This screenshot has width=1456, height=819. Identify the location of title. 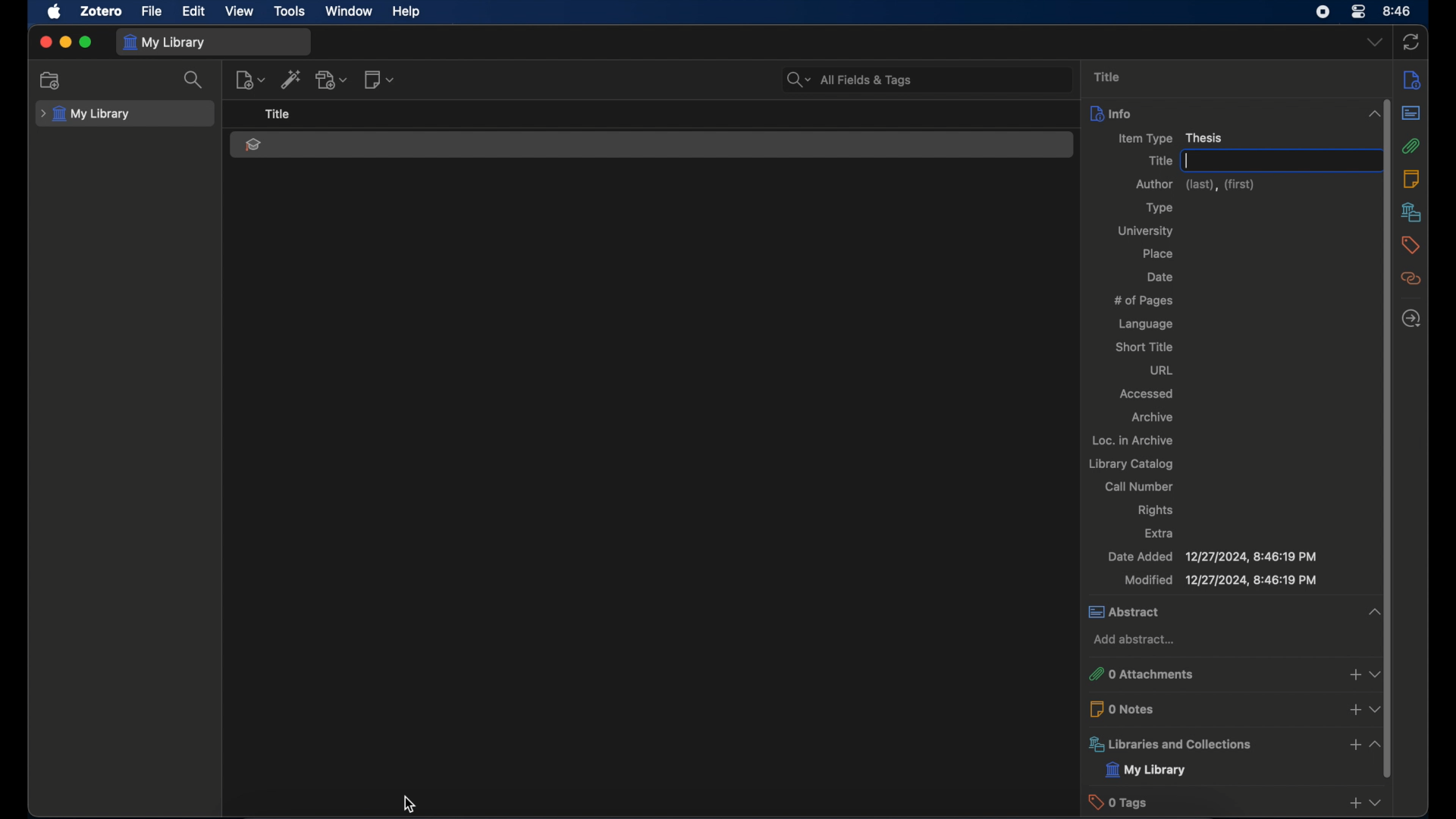
(1107, 76).